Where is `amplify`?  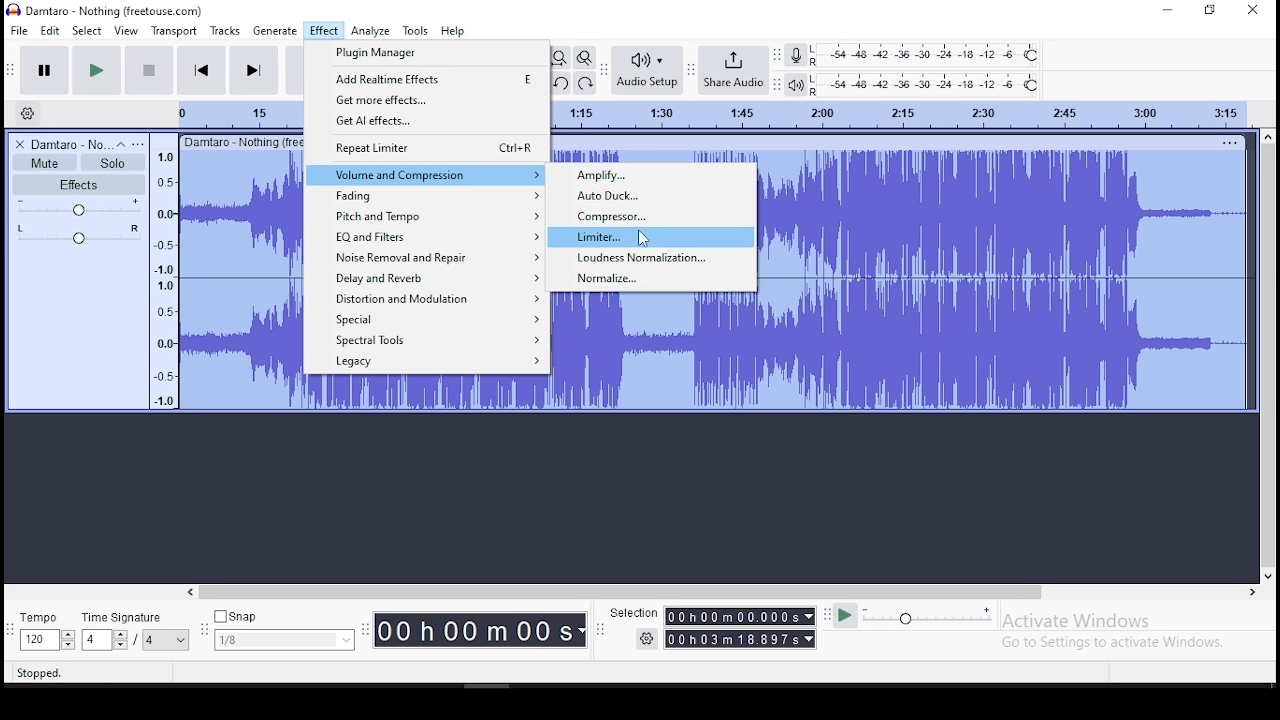 amplify is located at coordinates (653, 174).